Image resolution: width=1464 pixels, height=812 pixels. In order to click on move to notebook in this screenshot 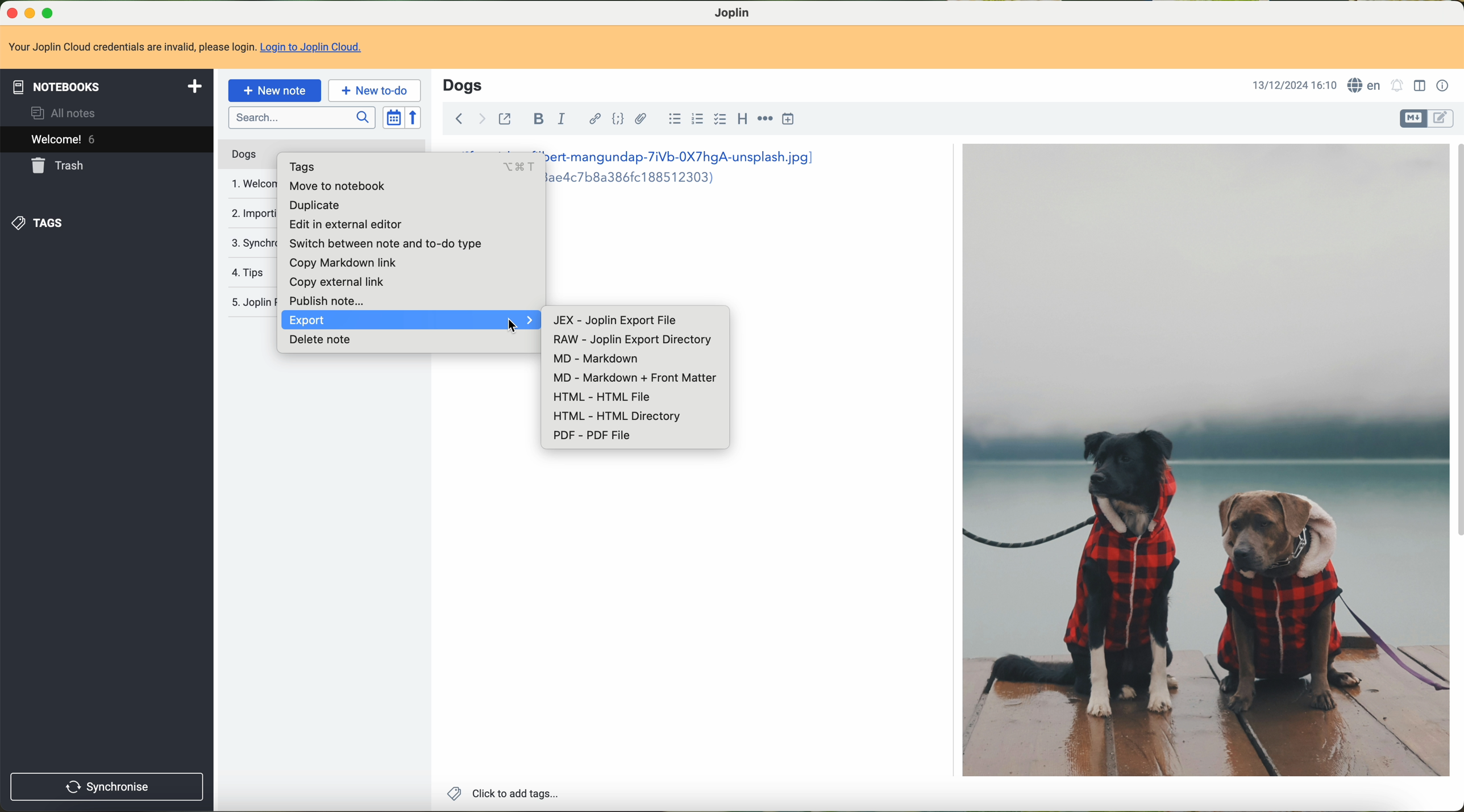, I will do `click(335, 188)`.